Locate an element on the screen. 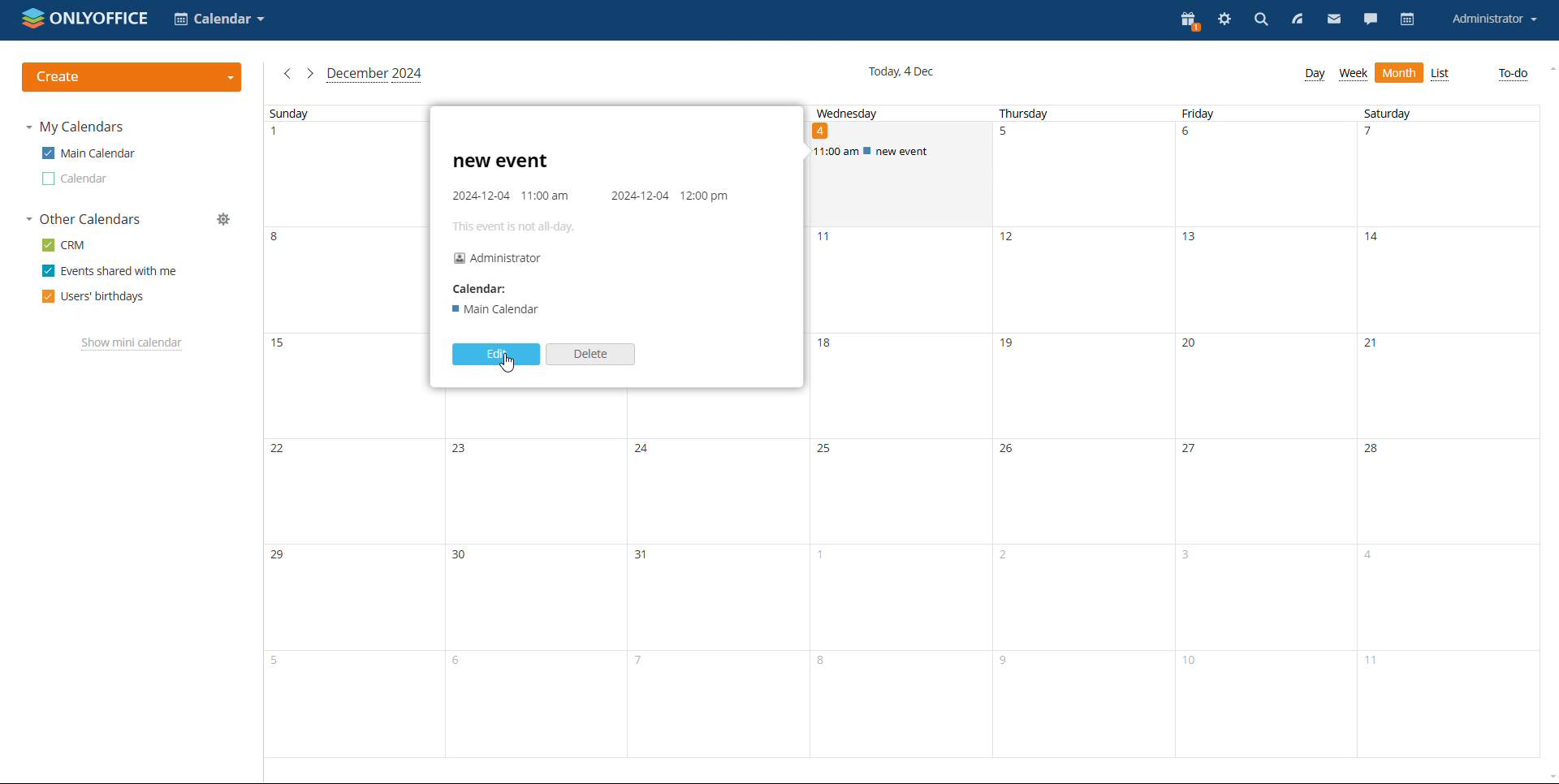 This screenshot has height=784, width=1559. month view is located at coordinates (1440, 75).